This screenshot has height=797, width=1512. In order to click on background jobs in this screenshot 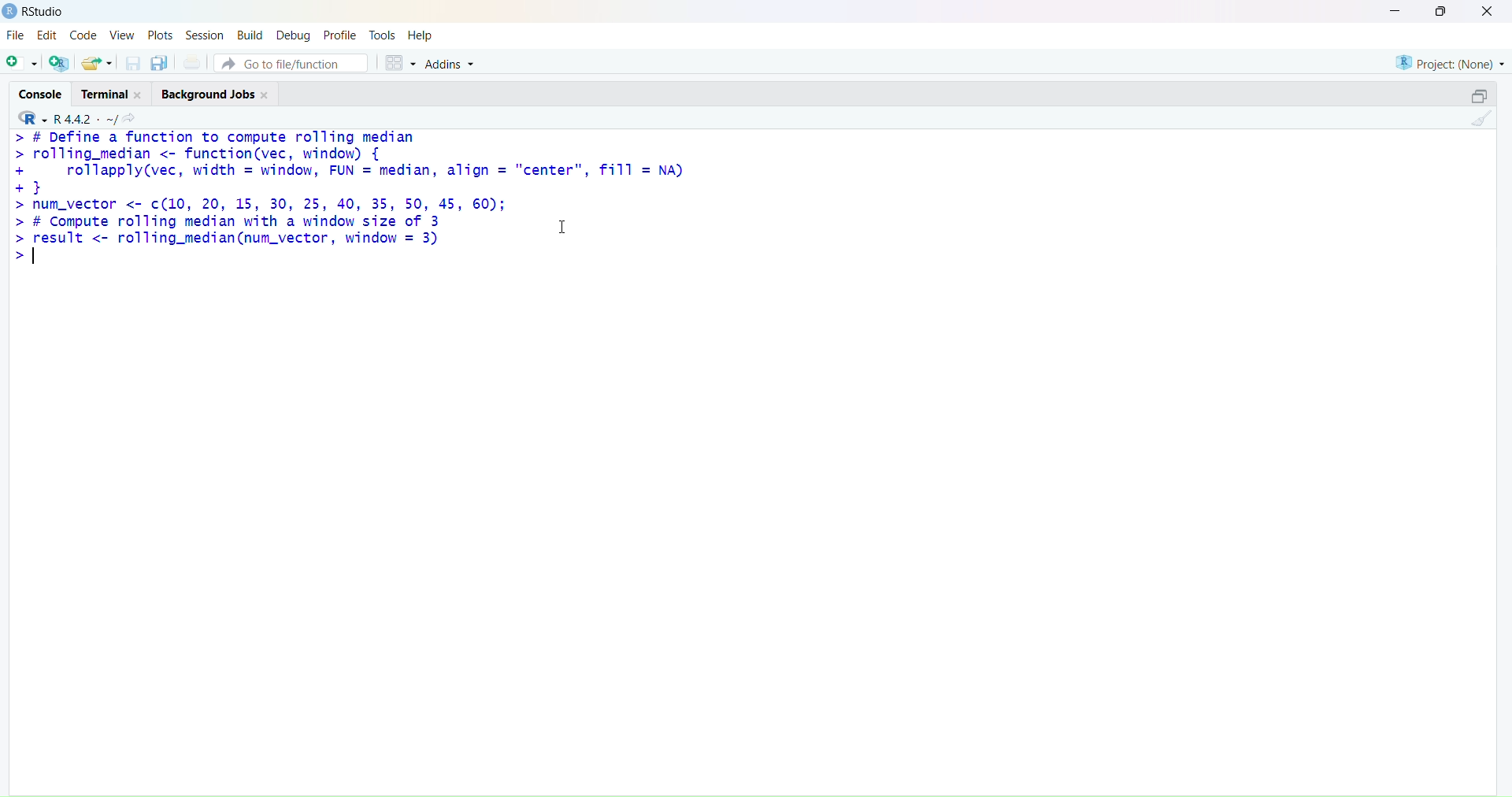, I will do `click(208, 96)`.